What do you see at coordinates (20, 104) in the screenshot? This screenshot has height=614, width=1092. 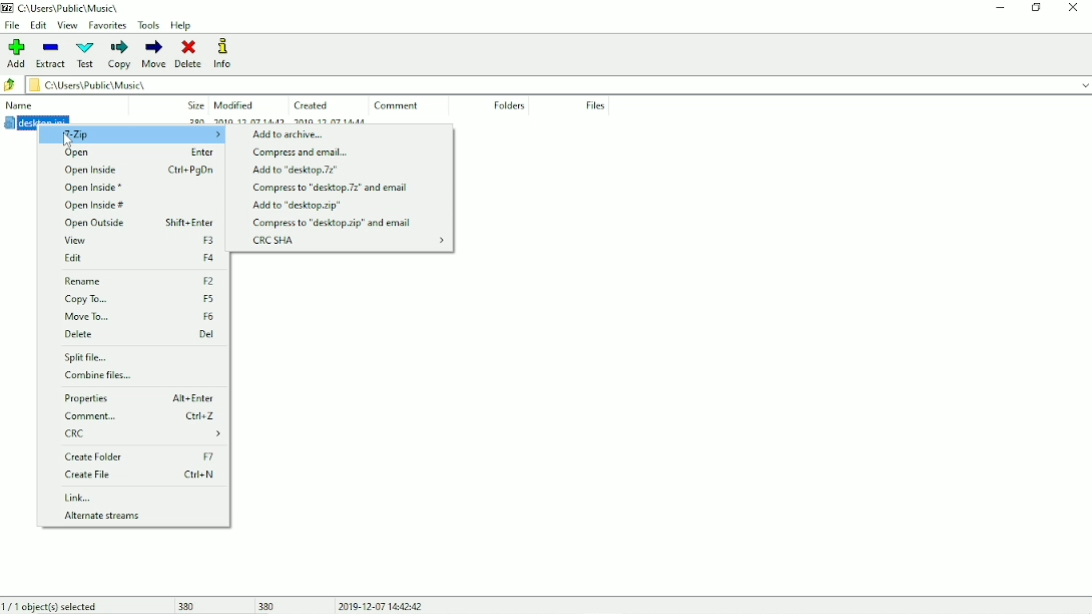 I see `Name` at bounding box center [20, 104].